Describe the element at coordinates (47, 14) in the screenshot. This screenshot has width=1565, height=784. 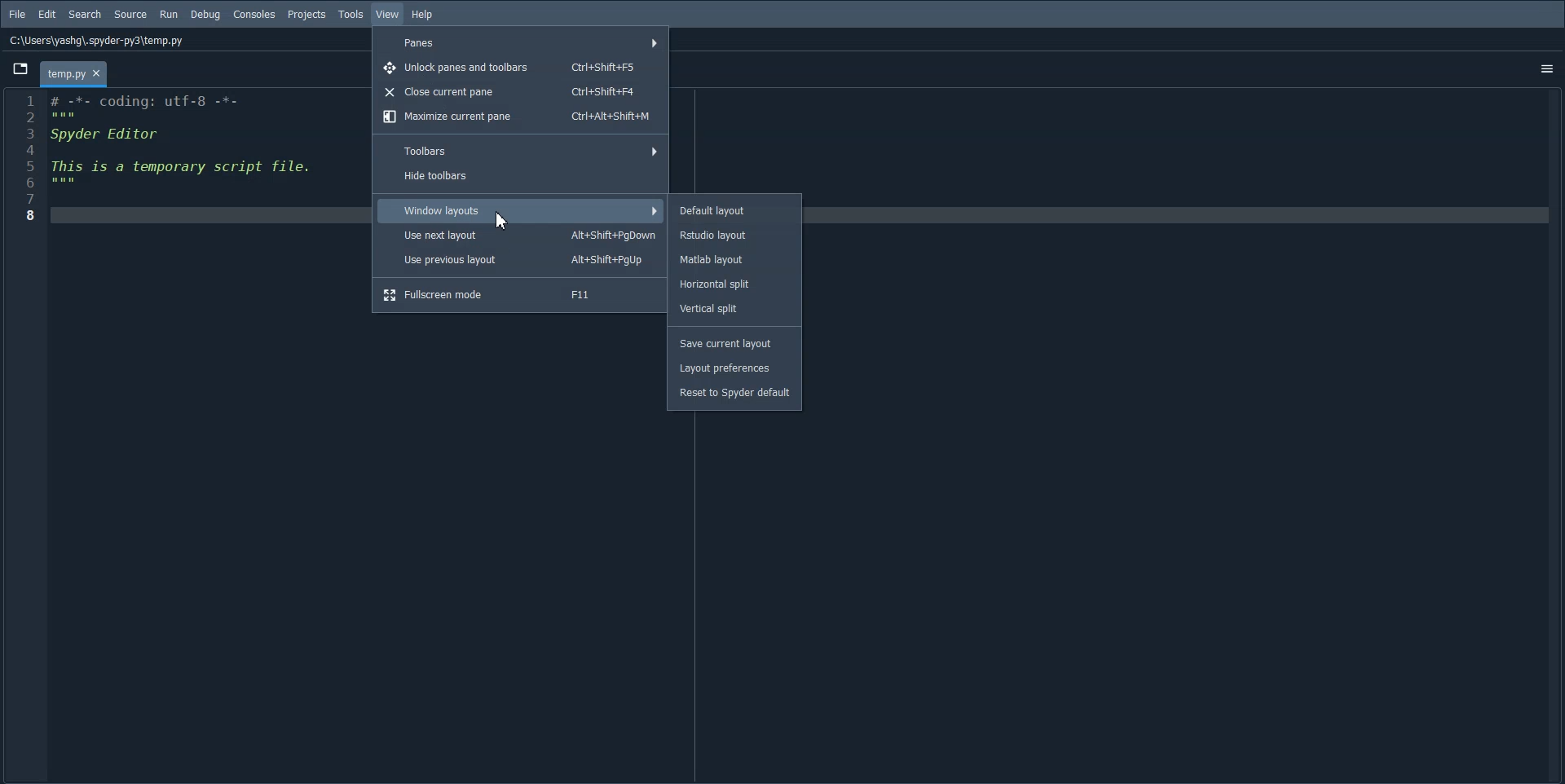
I see `Edit` at that location.